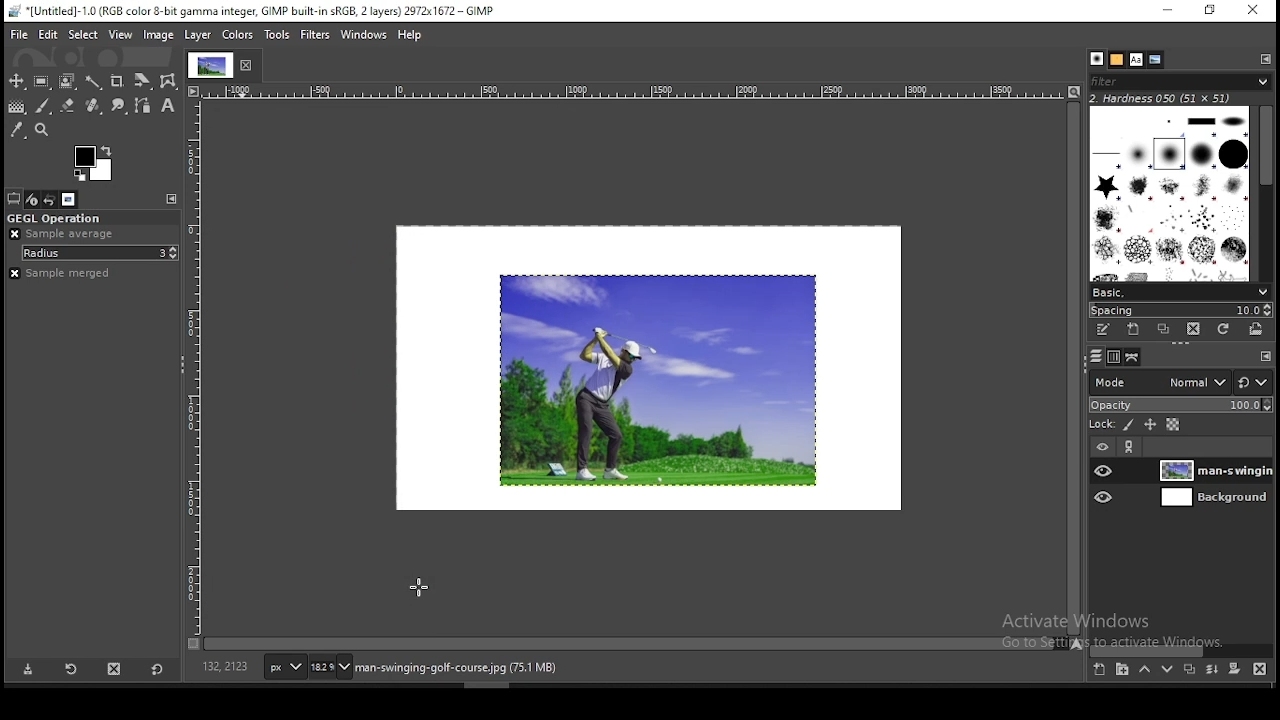 Image resolution: width=1280 pixels, height=720 pixels. What do you see at coordinates (1263, 355) in the screenshot?
I see `configure this tab` at bounding box center [1263, 355].